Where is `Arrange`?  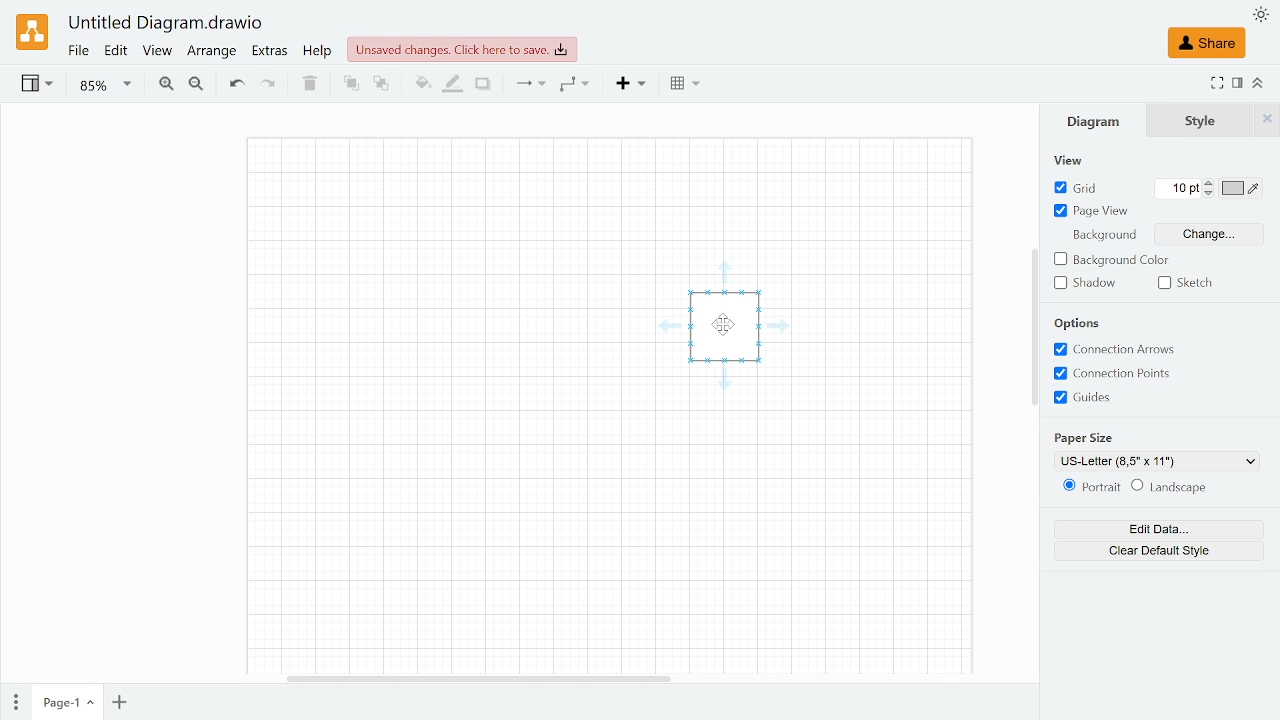
Arrange is located at coordinates (211, 52).